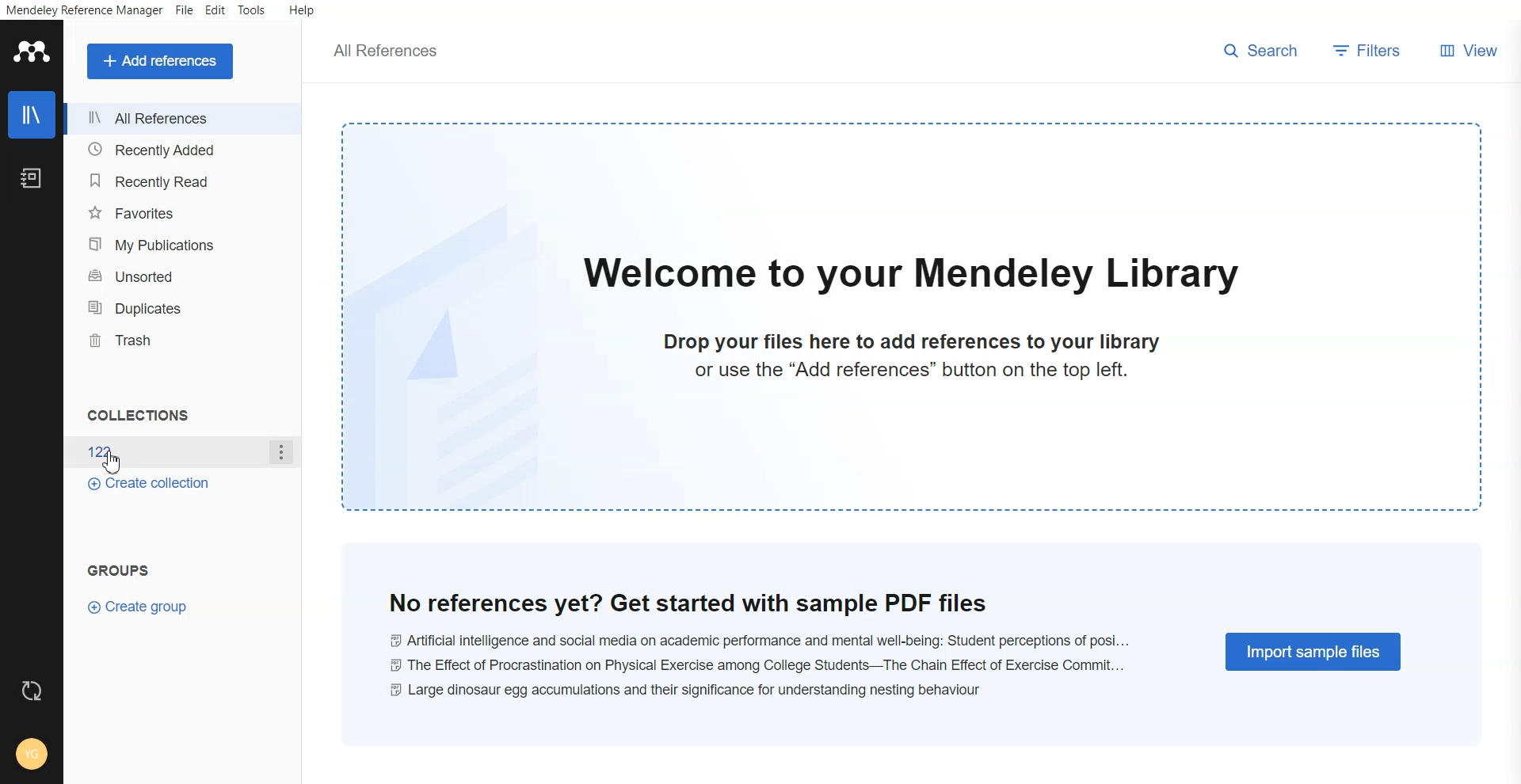 This screenshot has width=1521, height=784. Describe the element at coordinates (911, 274) in the screenshot. I see `welcome to our mendeley library` at that location.